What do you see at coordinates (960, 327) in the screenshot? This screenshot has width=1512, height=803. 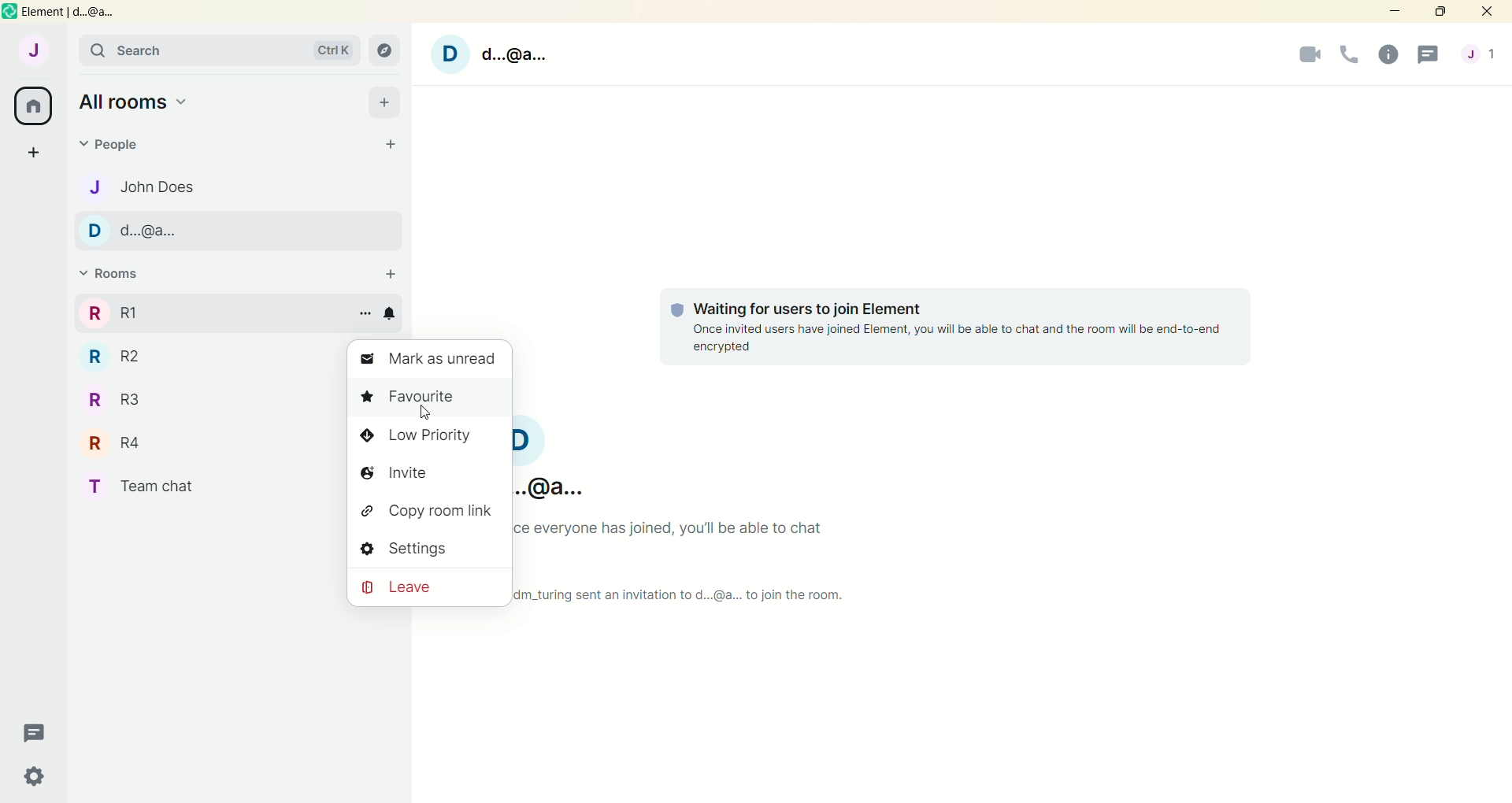 I see `© Waiting for users to join Element
Once invited users have joined Element, you will be able to chat and the room will be end-to-end
encrypted` at bounding box center [960, 327].